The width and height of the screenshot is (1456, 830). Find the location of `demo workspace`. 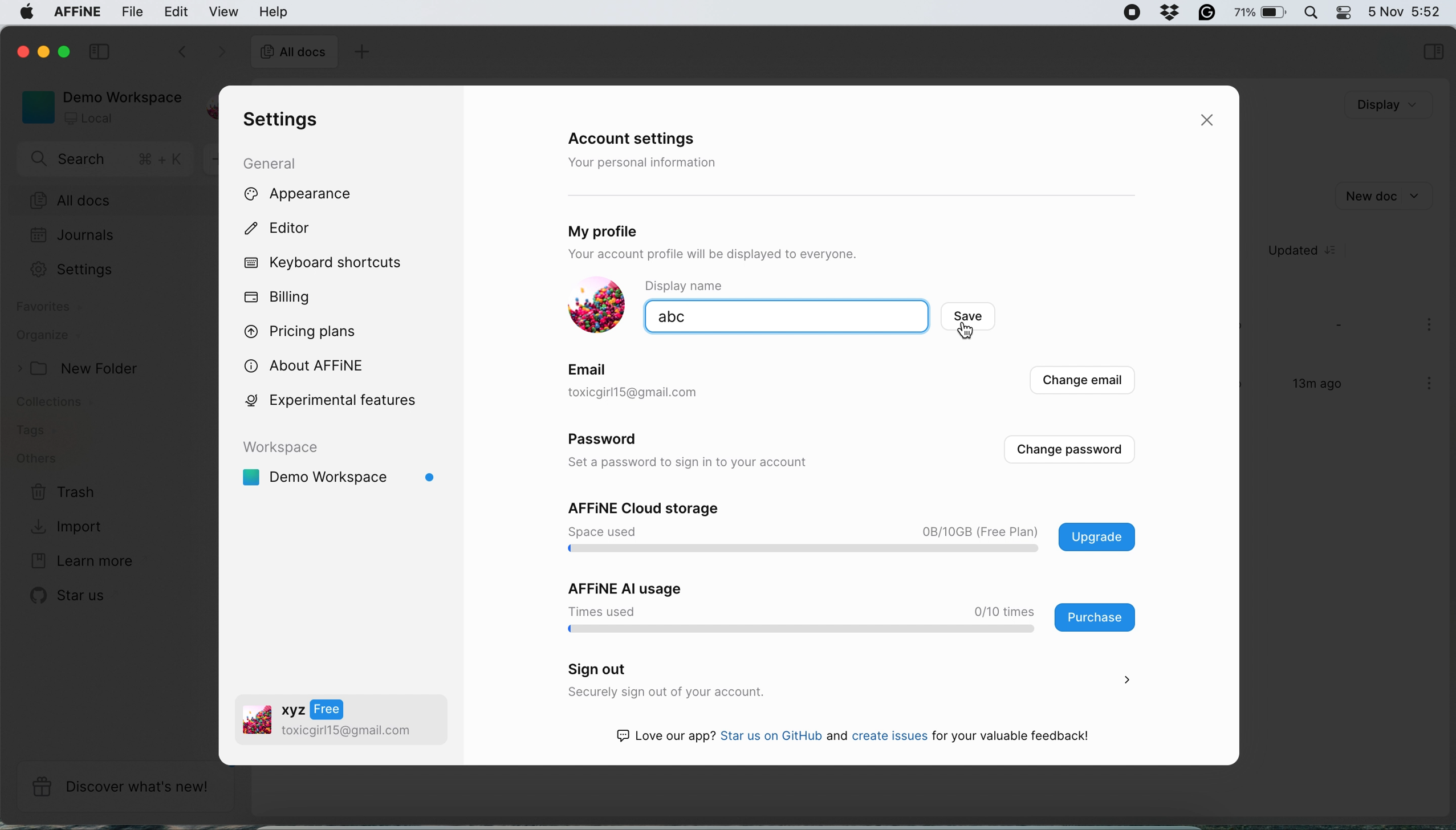

demo workspace is located at coordinates (97, 106).